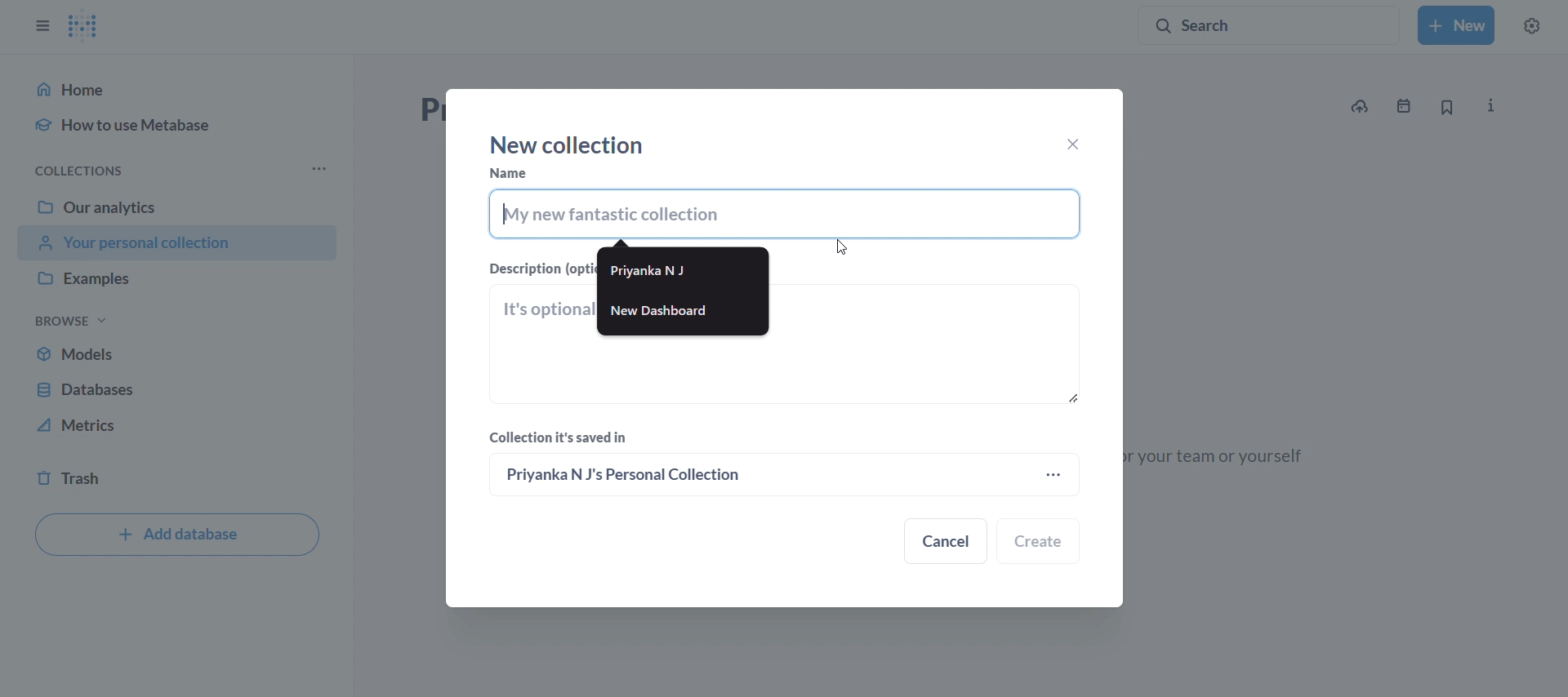  What do you see at coordinates (319, 169) in the screenshot?
I see `more` at bounding box center [319, 169].